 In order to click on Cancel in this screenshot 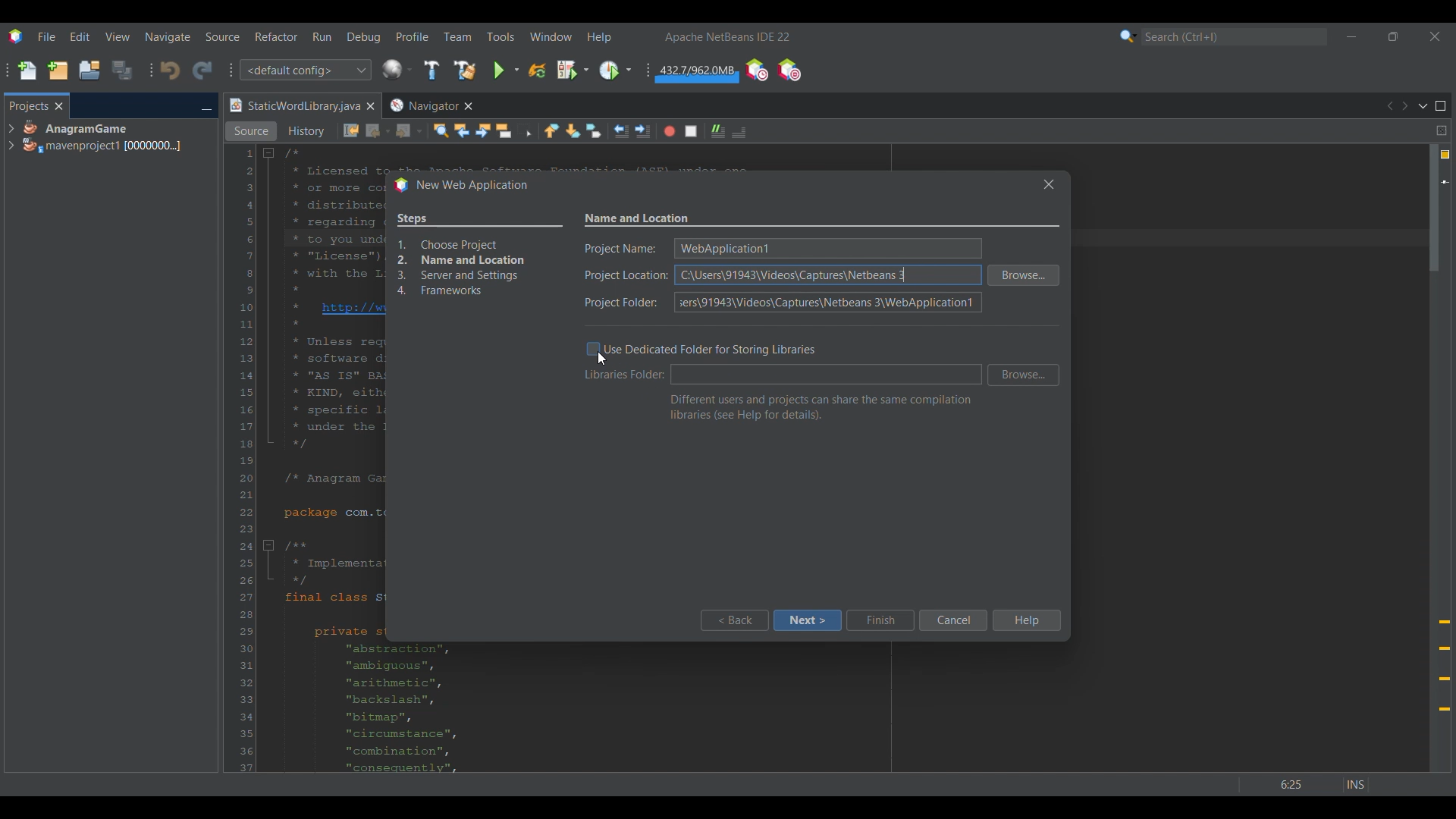, I will do `click(952, 620)`.